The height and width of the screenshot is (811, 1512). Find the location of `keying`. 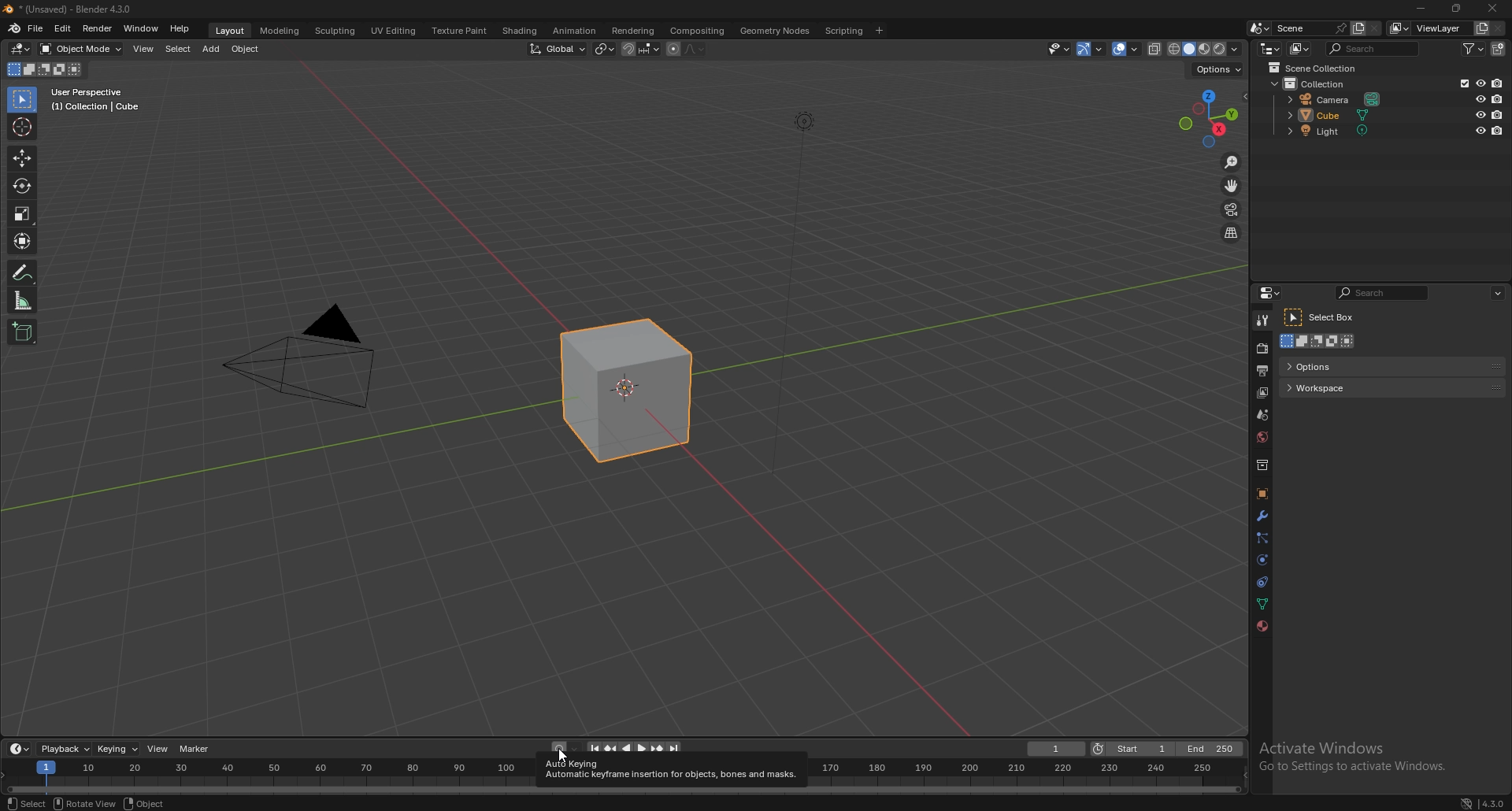

keying is located at coordinates (118, 749).